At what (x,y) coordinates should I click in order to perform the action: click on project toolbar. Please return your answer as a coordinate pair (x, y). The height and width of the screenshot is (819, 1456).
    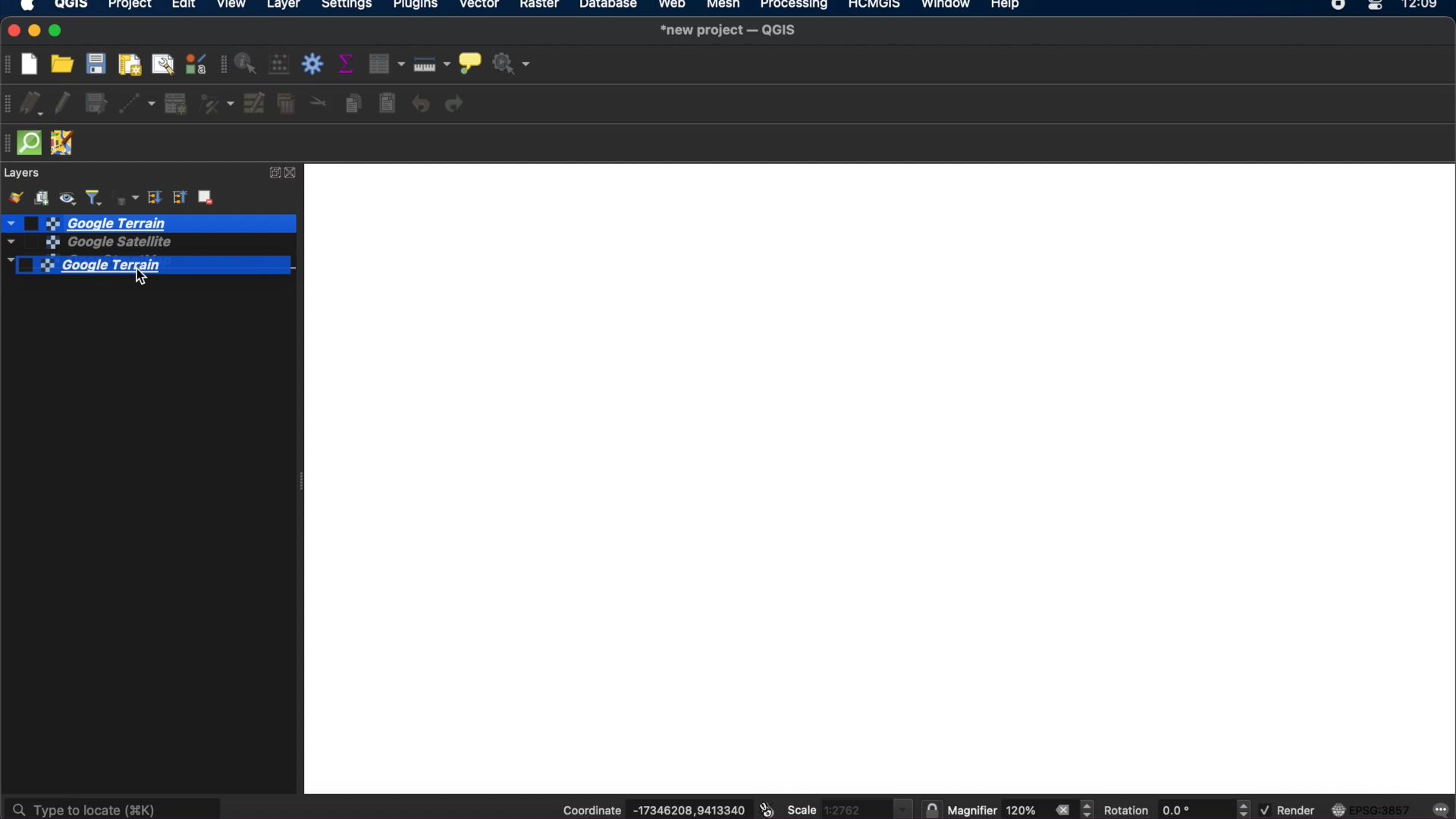
    Looking at the image, I should click on (9, 64).